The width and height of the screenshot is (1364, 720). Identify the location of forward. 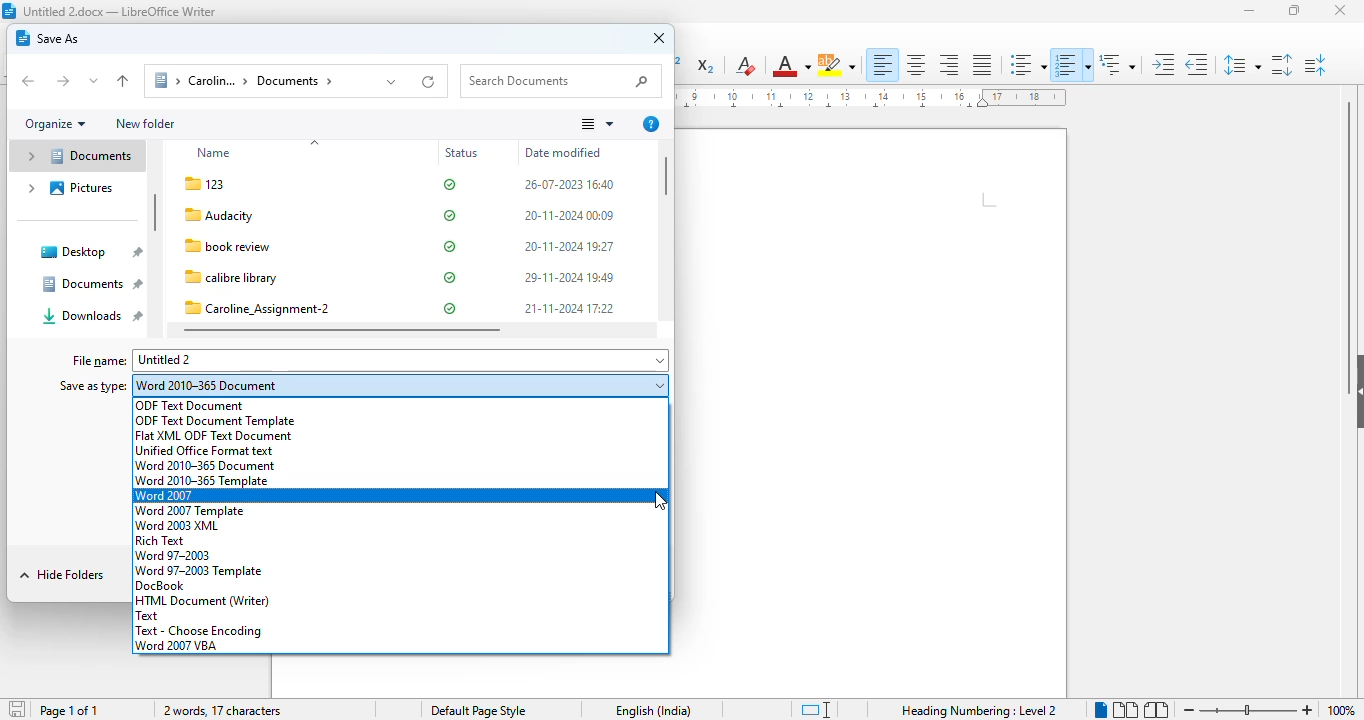
(62, 82).